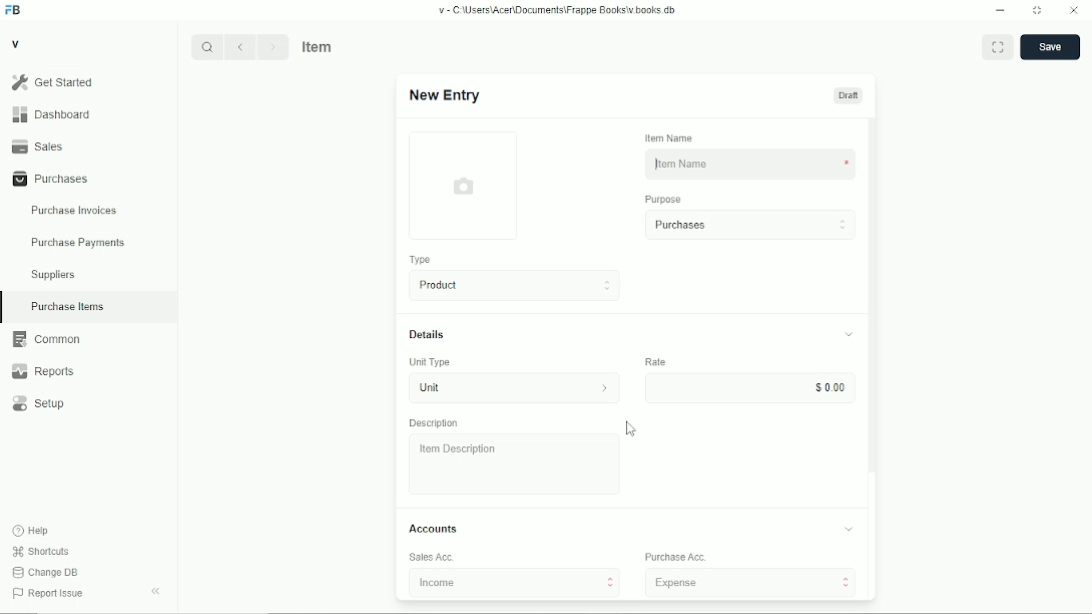  What do you see at coordinates (670, 138) in the screenshot?
I see `item name` at bounding box center [670, 138].